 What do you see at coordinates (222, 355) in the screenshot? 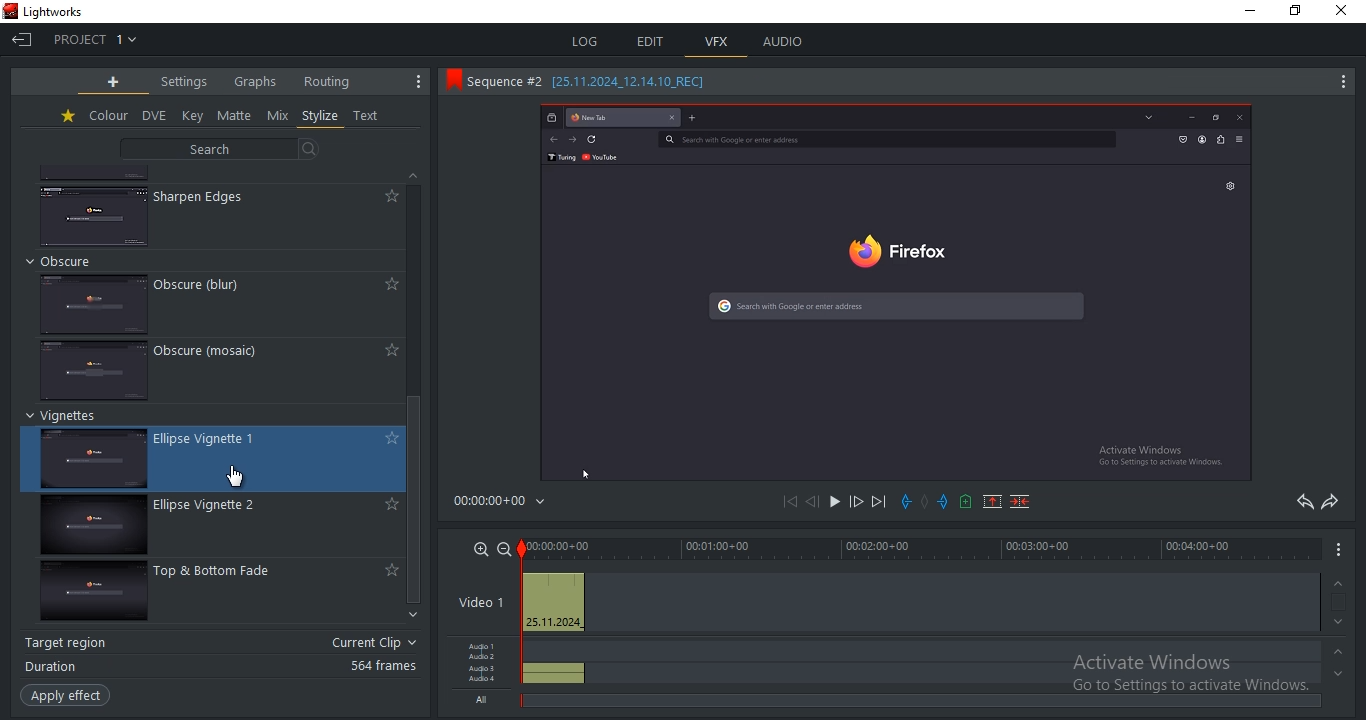
I see `Obscure (mosaic)` at bounding box center [222, 355].